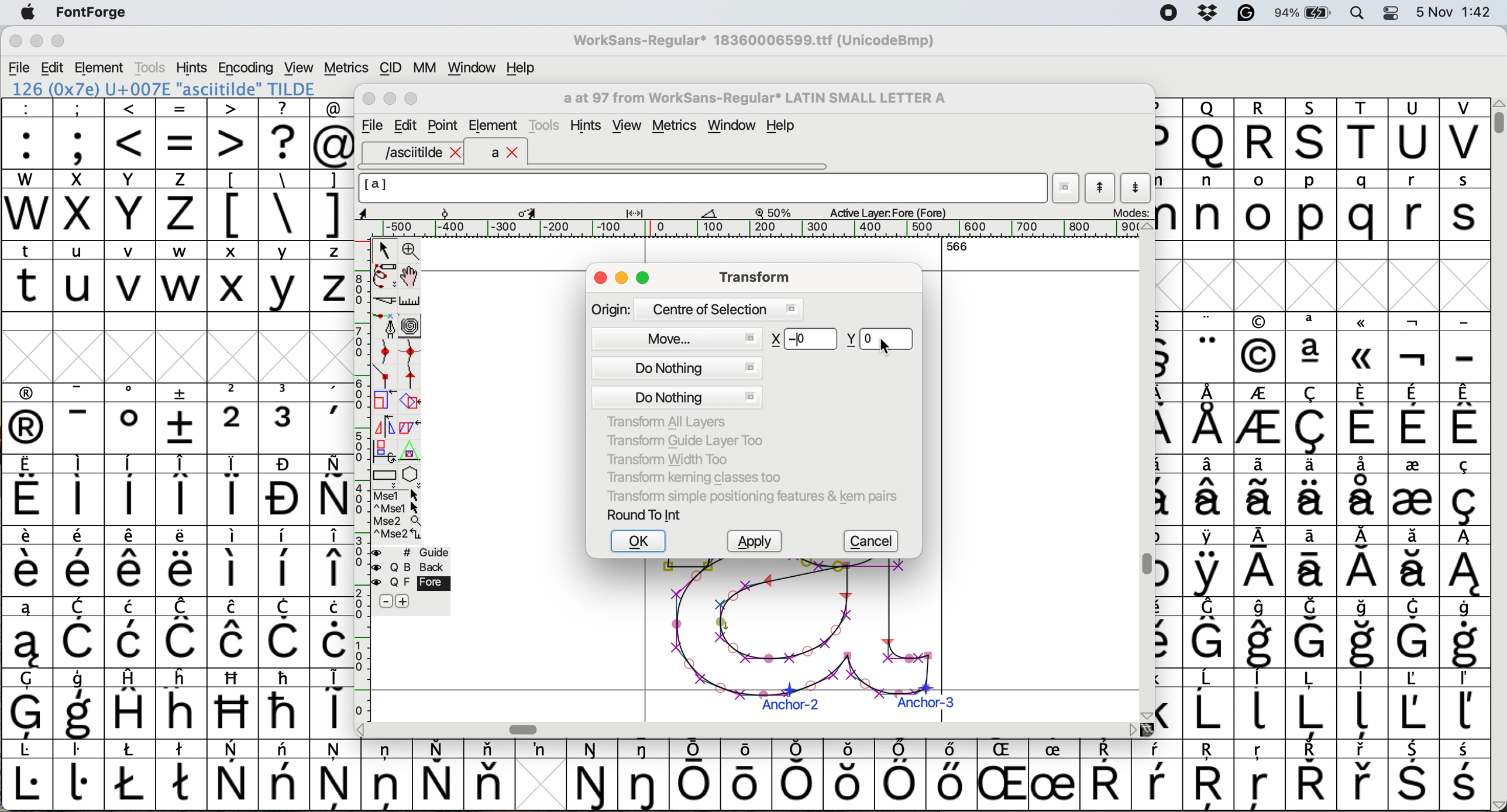  What do you see at coordinates (1105, 776) in the screenshot?
I see `symbol` at bounding box center [1105, 776].